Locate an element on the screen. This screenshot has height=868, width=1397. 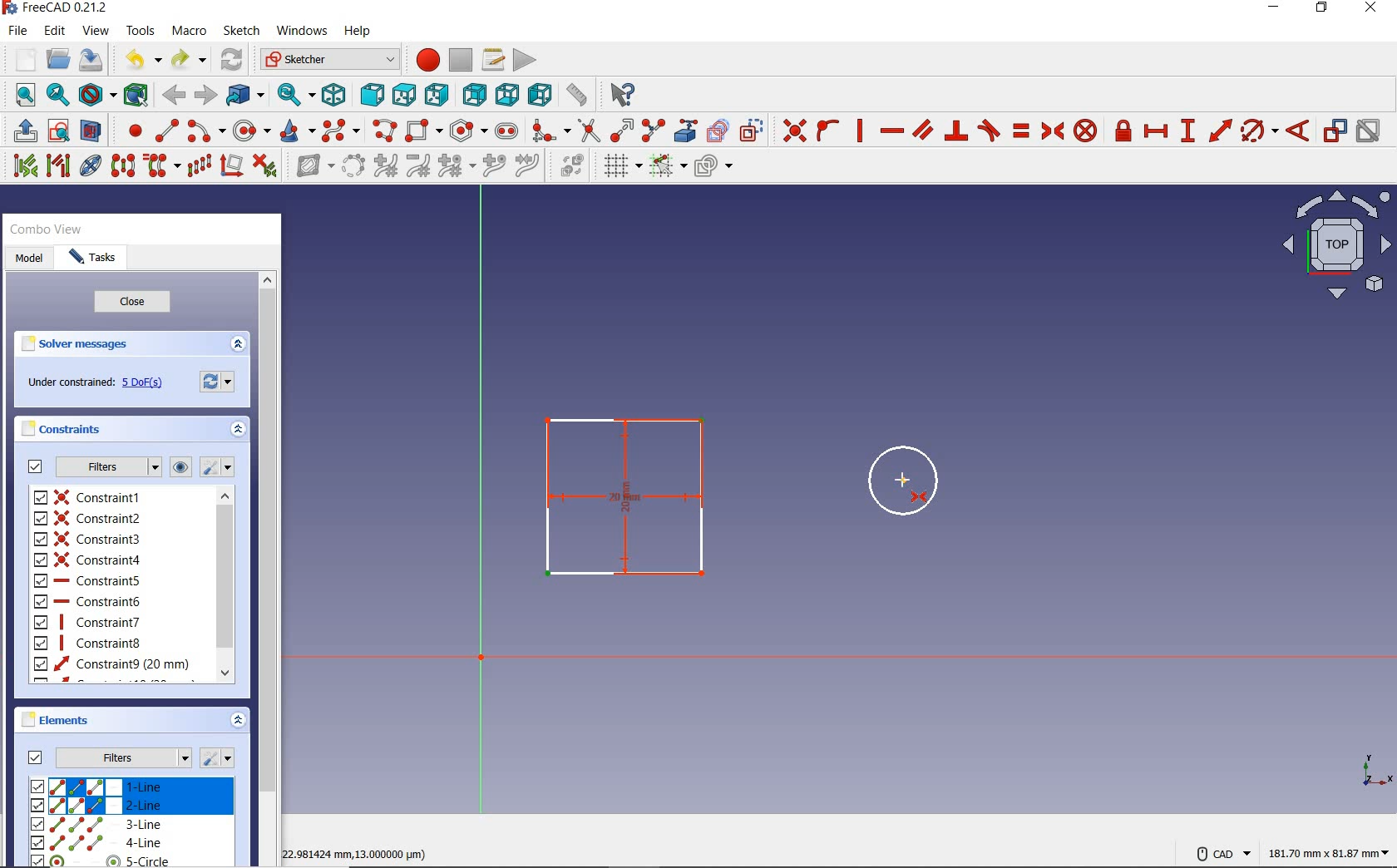
activate/deactivate constraint is located at coordinates (1369, 131).